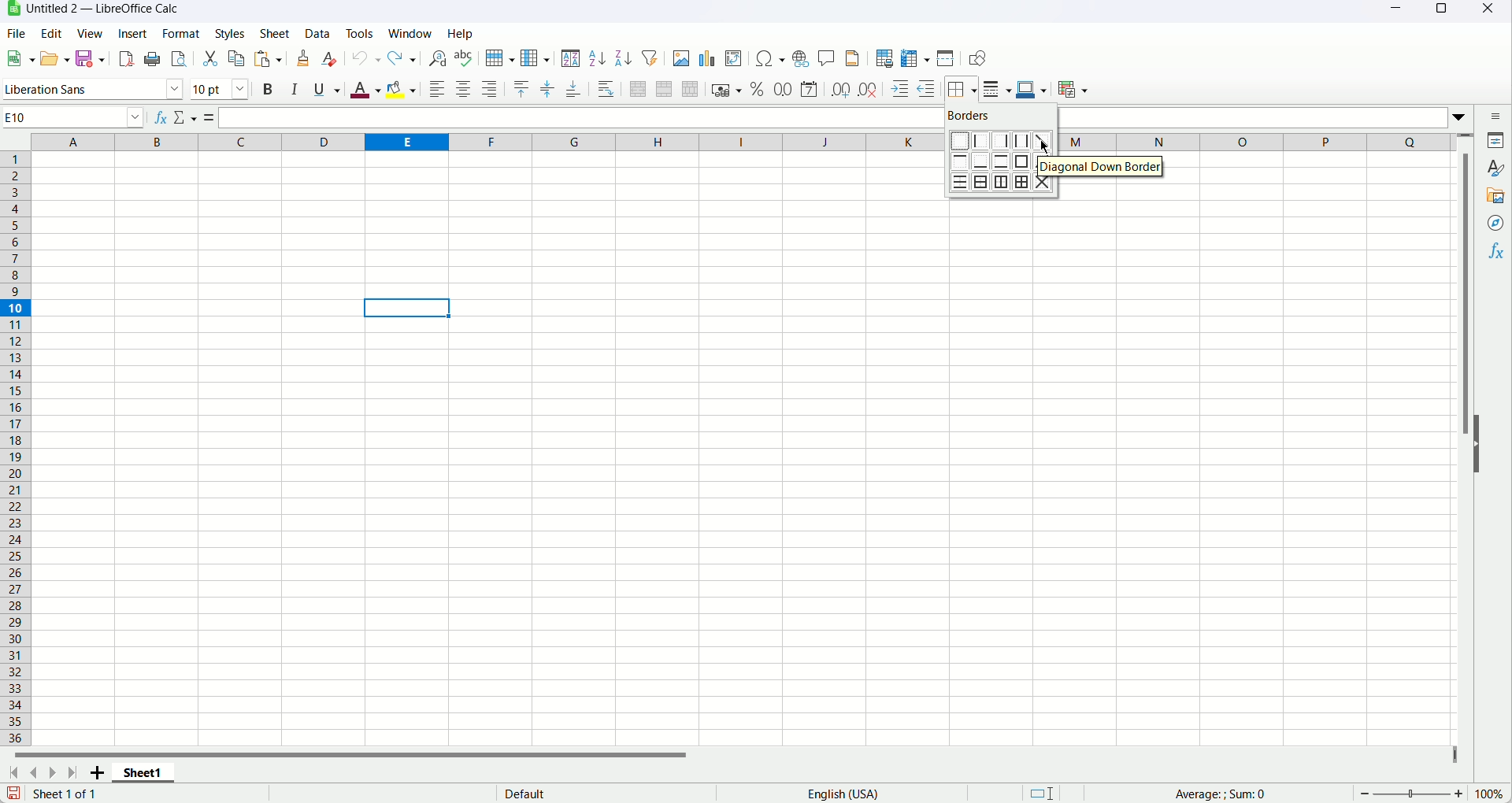 This screenshot has width=1512, height=803. Describe the element at coordinates (1002, 180) in the screenshot. I see `outer border and vertical lines` at that location.